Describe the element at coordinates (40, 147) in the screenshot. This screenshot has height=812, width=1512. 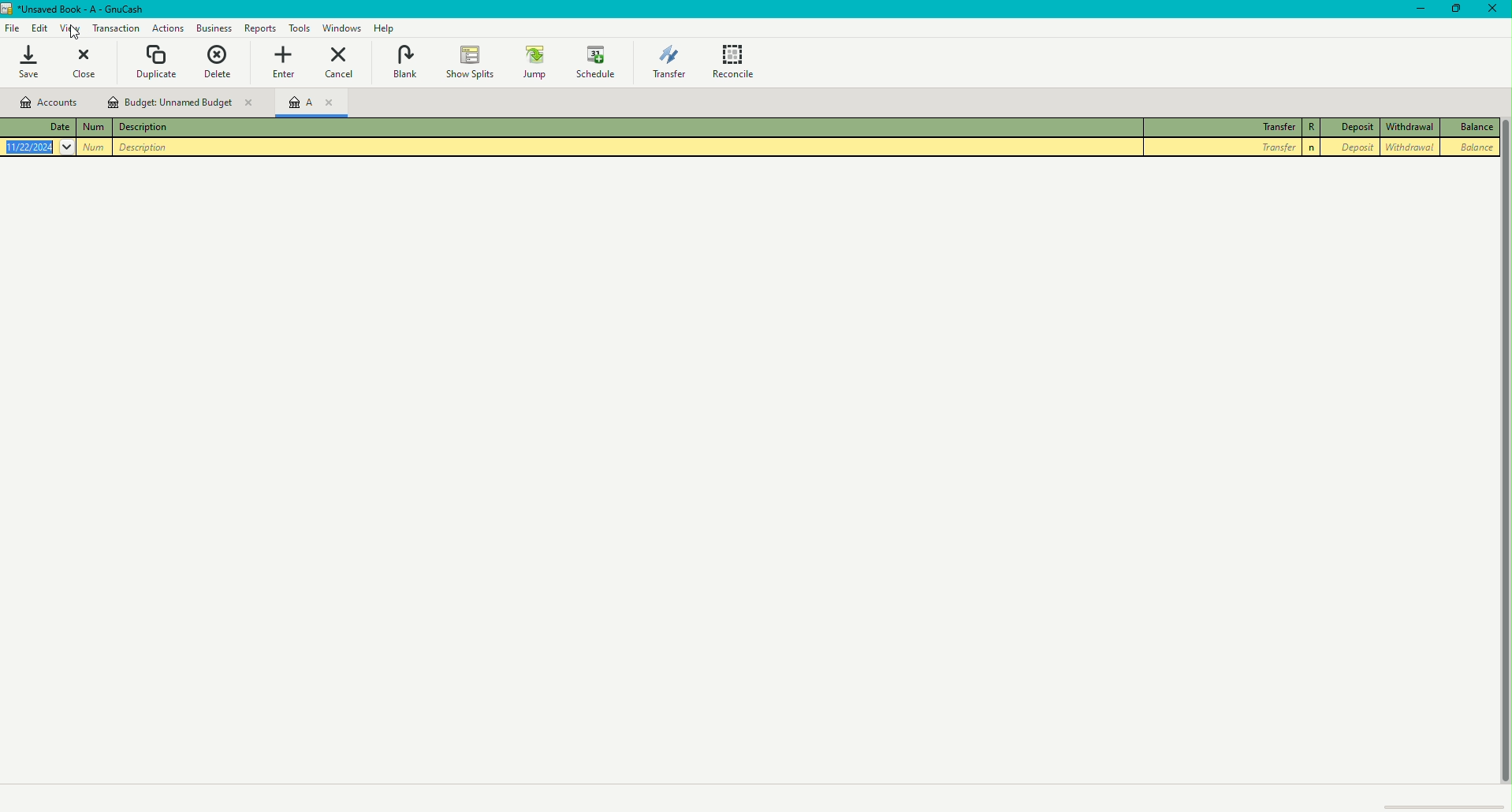
I see `date` at that location.